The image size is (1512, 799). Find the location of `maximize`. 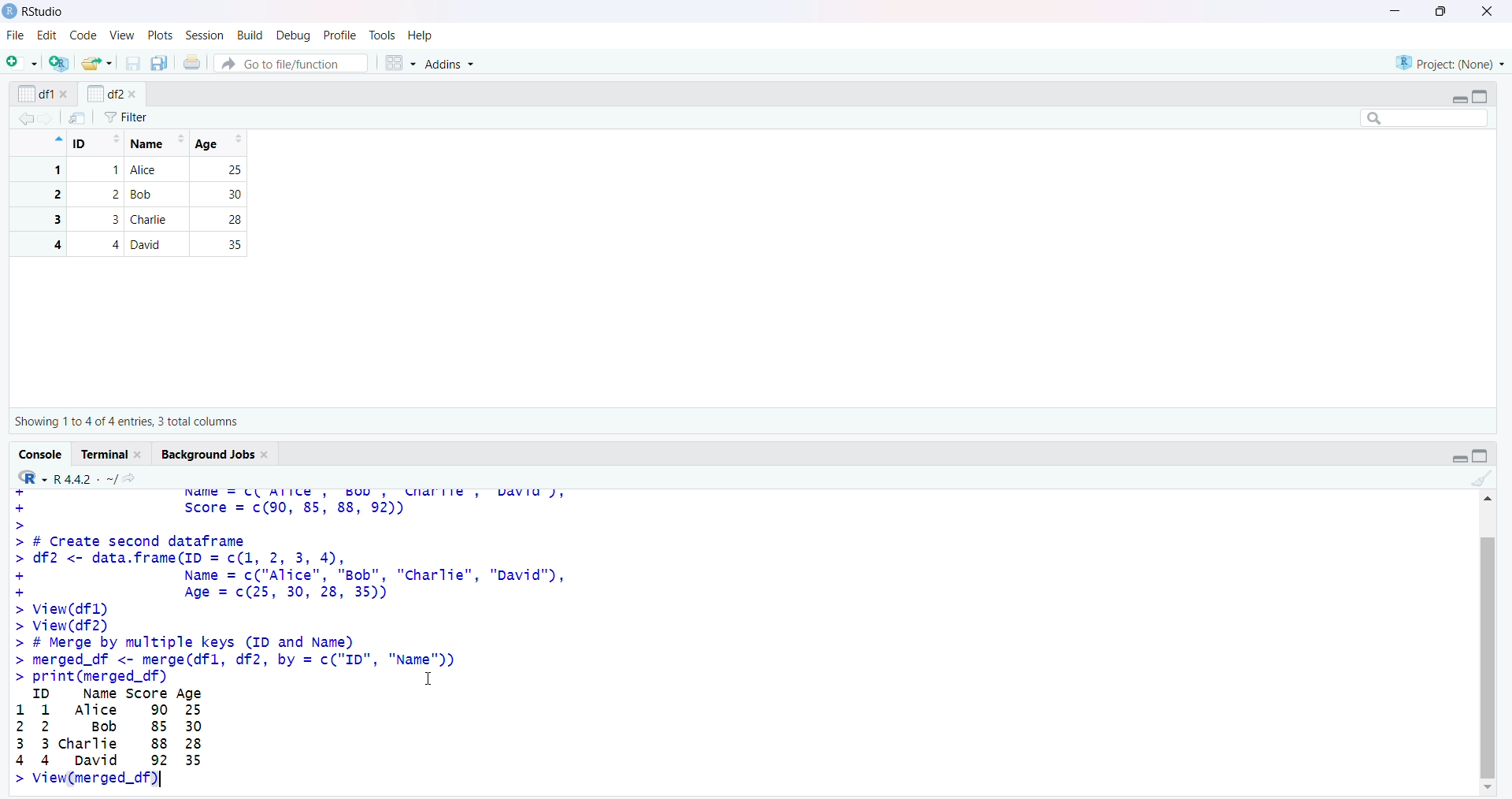

maximize is located at coordinates (1443, 11).